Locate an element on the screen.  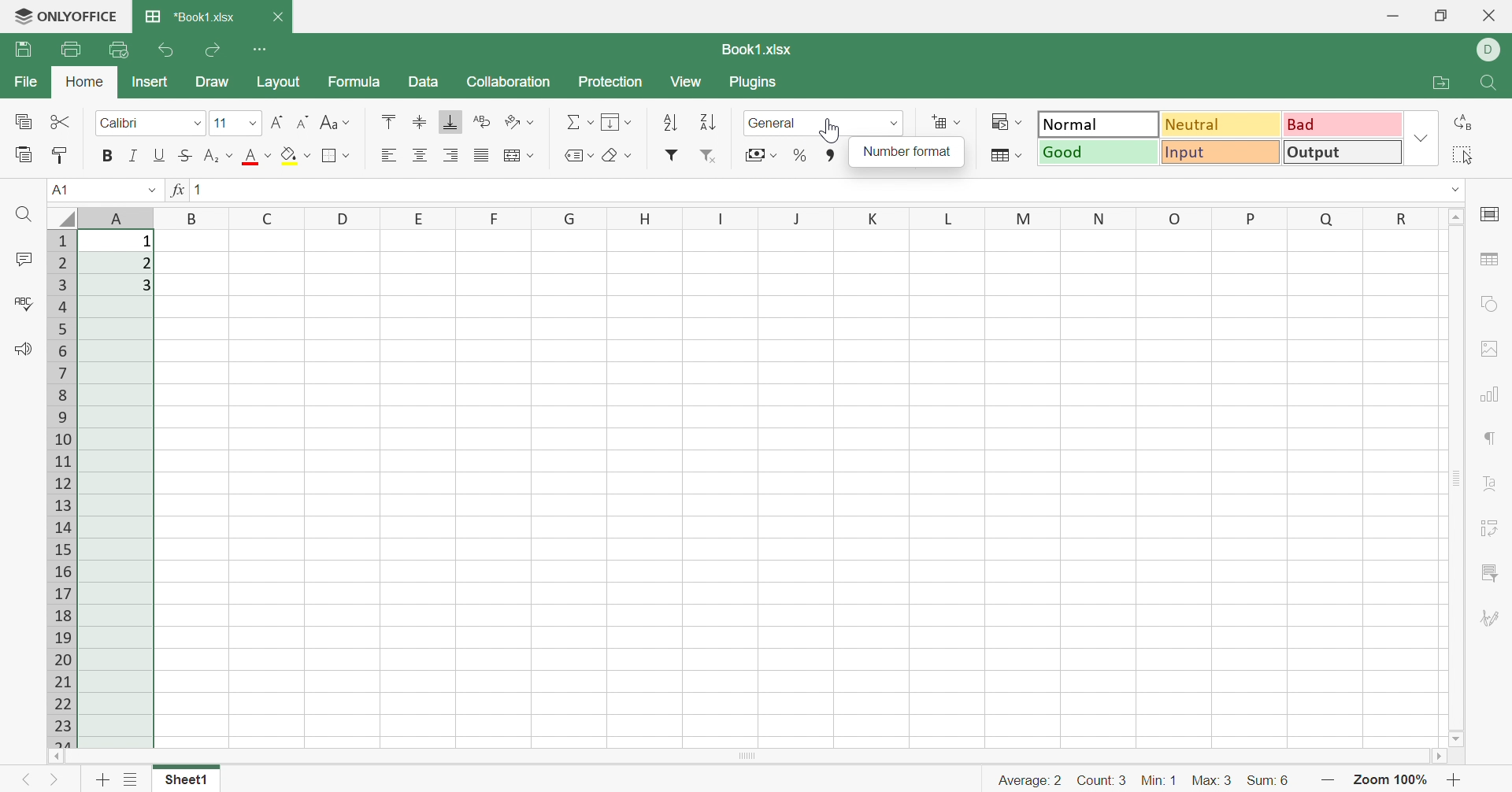
Align right is located at coordinates (451, 155).